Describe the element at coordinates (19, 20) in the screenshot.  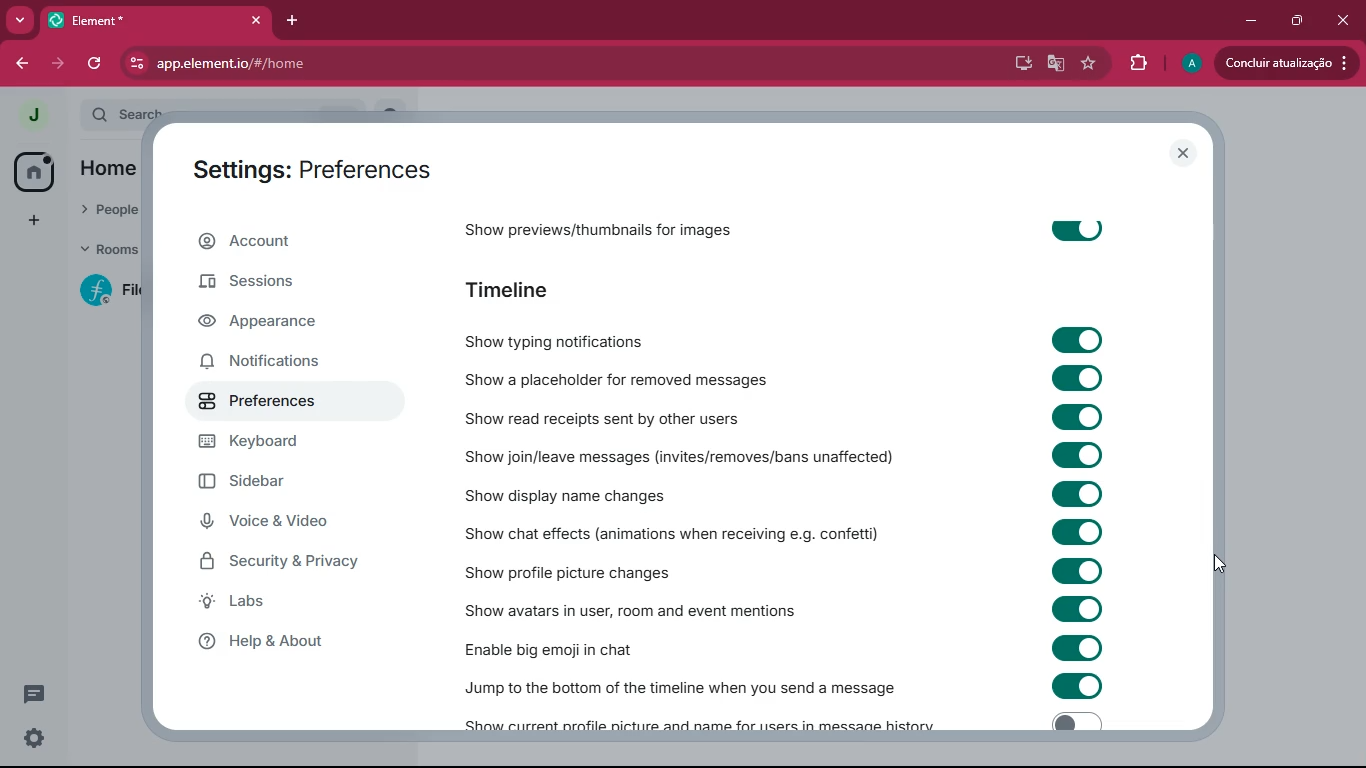
I see `more` at that location.